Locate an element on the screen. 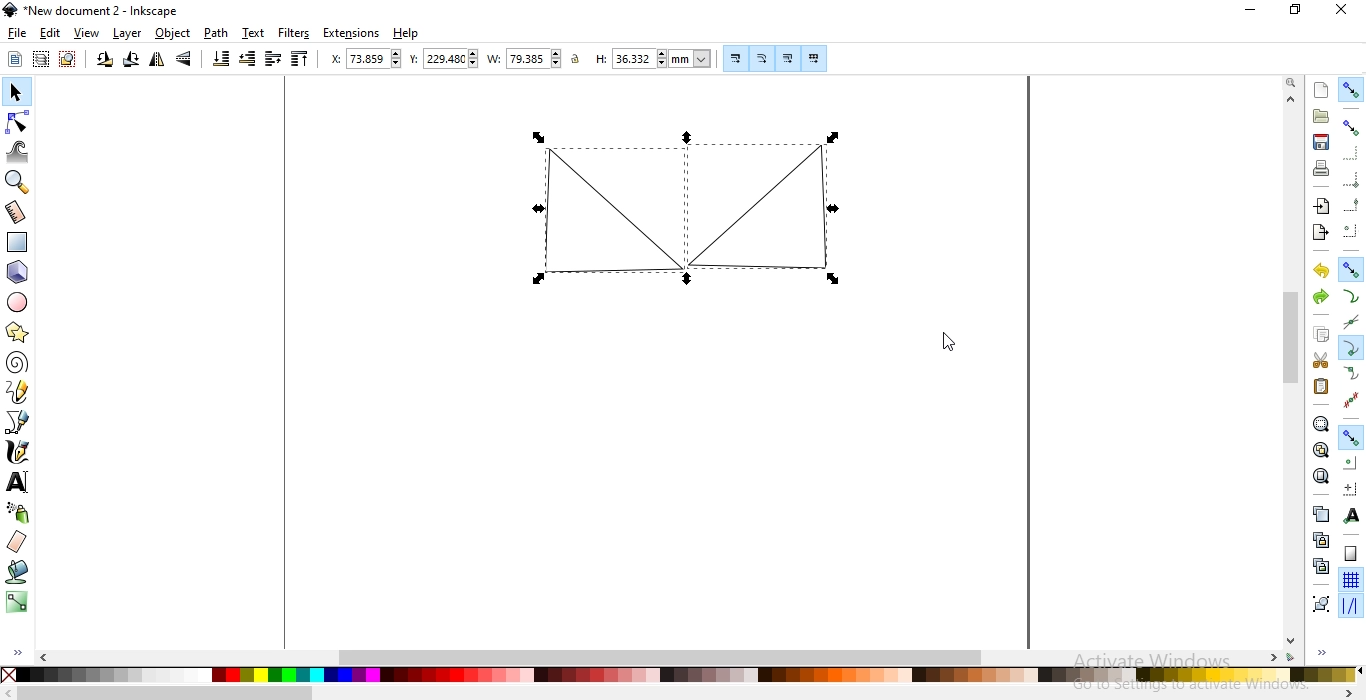  zoom to fit selection in window is located at coordinates (1321, 424).